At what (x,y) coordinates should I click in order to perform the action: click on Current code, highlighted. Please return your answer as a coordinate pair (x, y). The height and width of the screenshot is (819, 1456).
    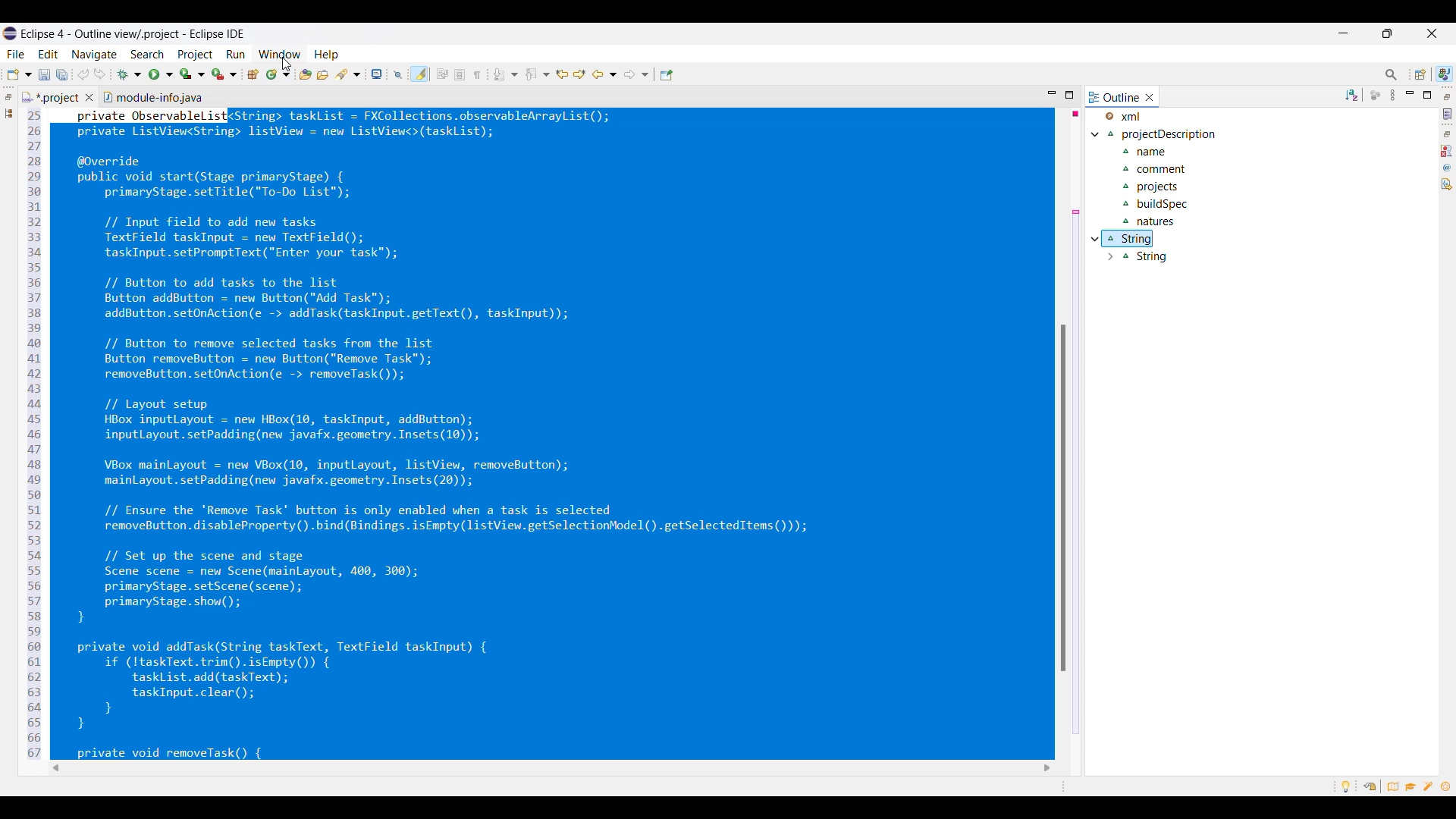
    Looking at the image, I should click on (535, 433).